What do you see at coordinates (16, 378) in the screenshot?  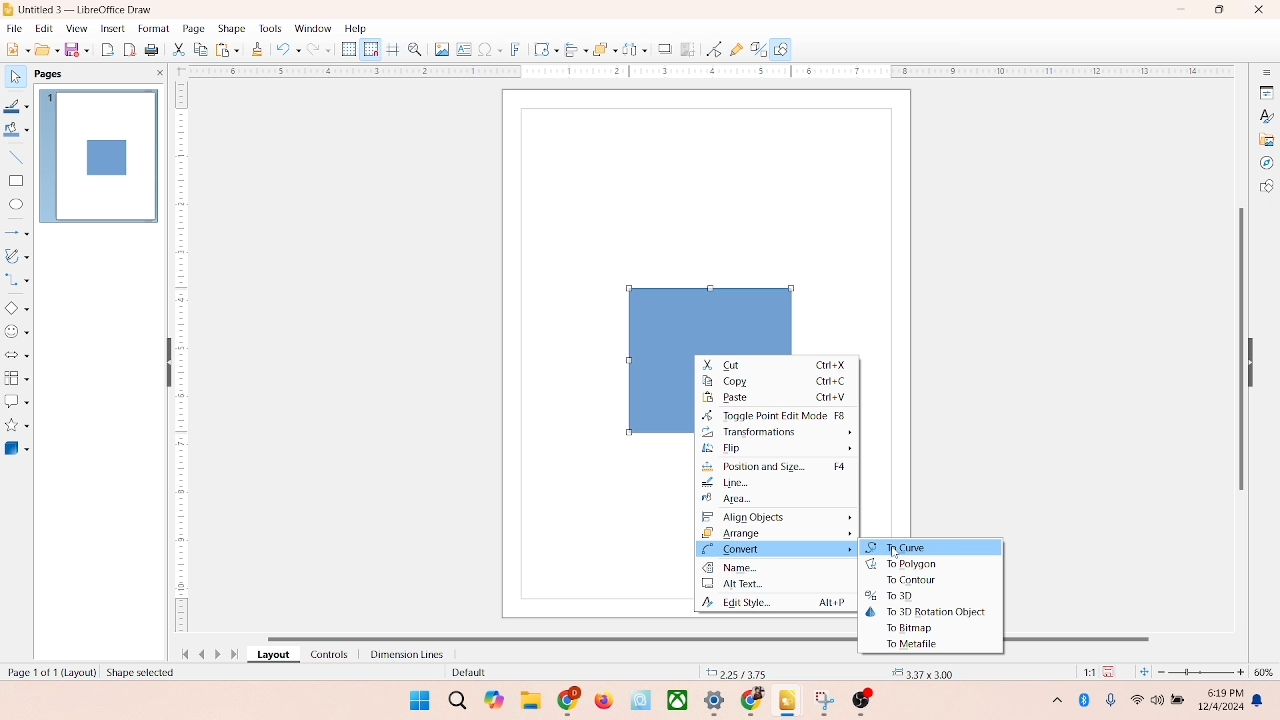 I see `flowchart` at bounding box center [16, 378].